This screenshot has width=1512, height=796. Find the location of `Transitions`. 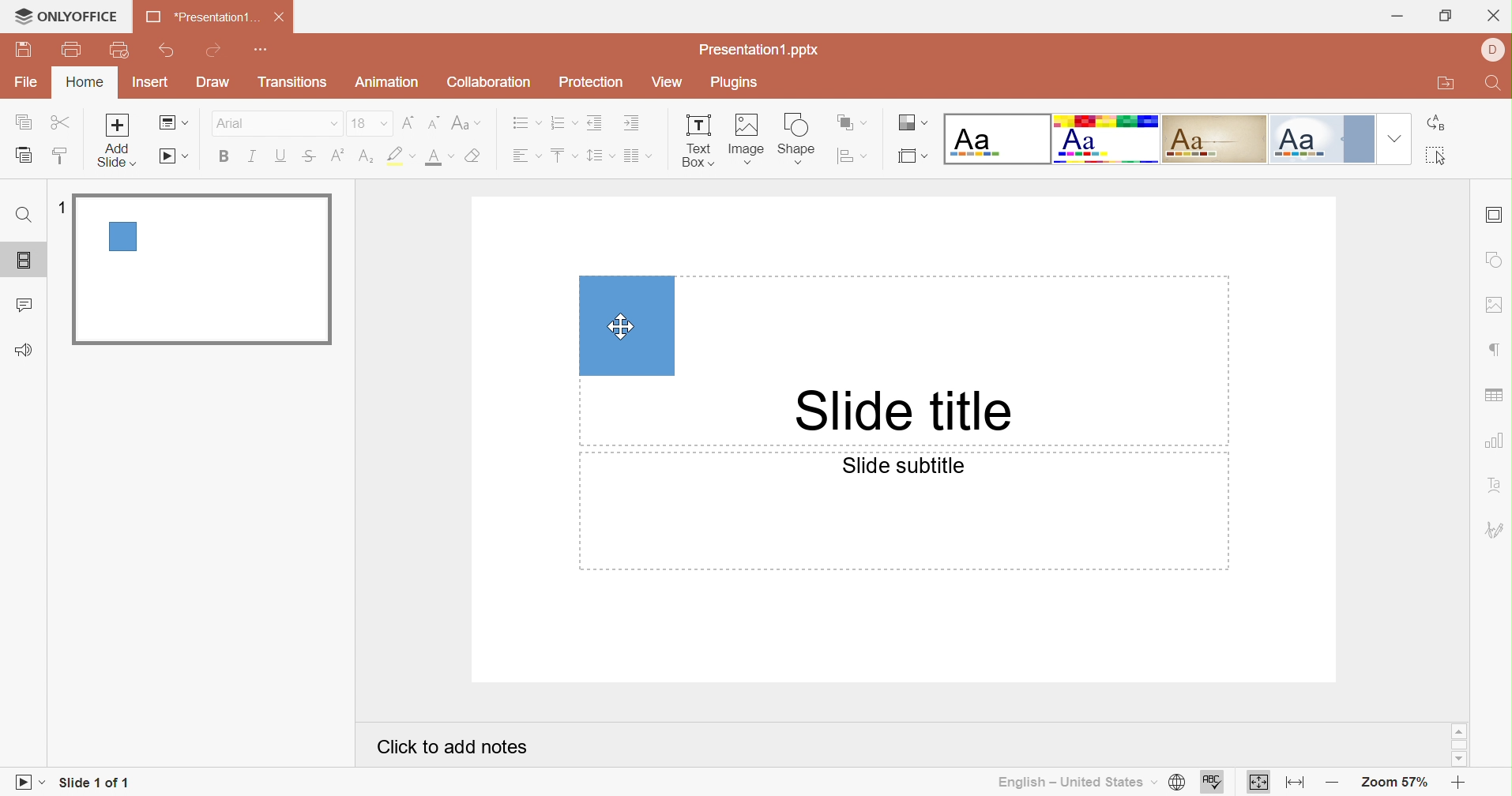

Transitions is located at coordinates (294, 82).